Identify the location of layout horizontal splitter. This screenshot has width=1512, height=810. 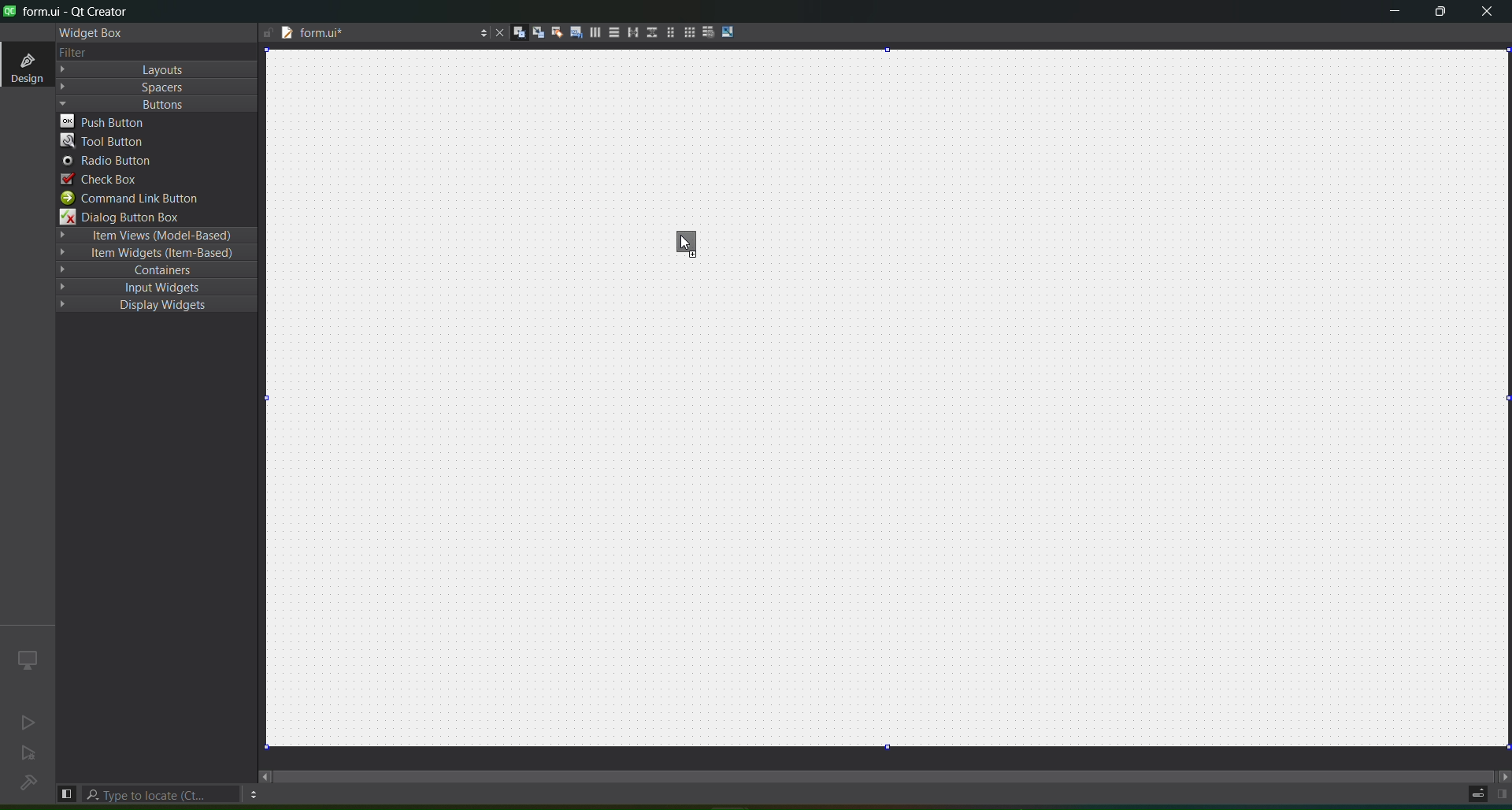
(630, 32).